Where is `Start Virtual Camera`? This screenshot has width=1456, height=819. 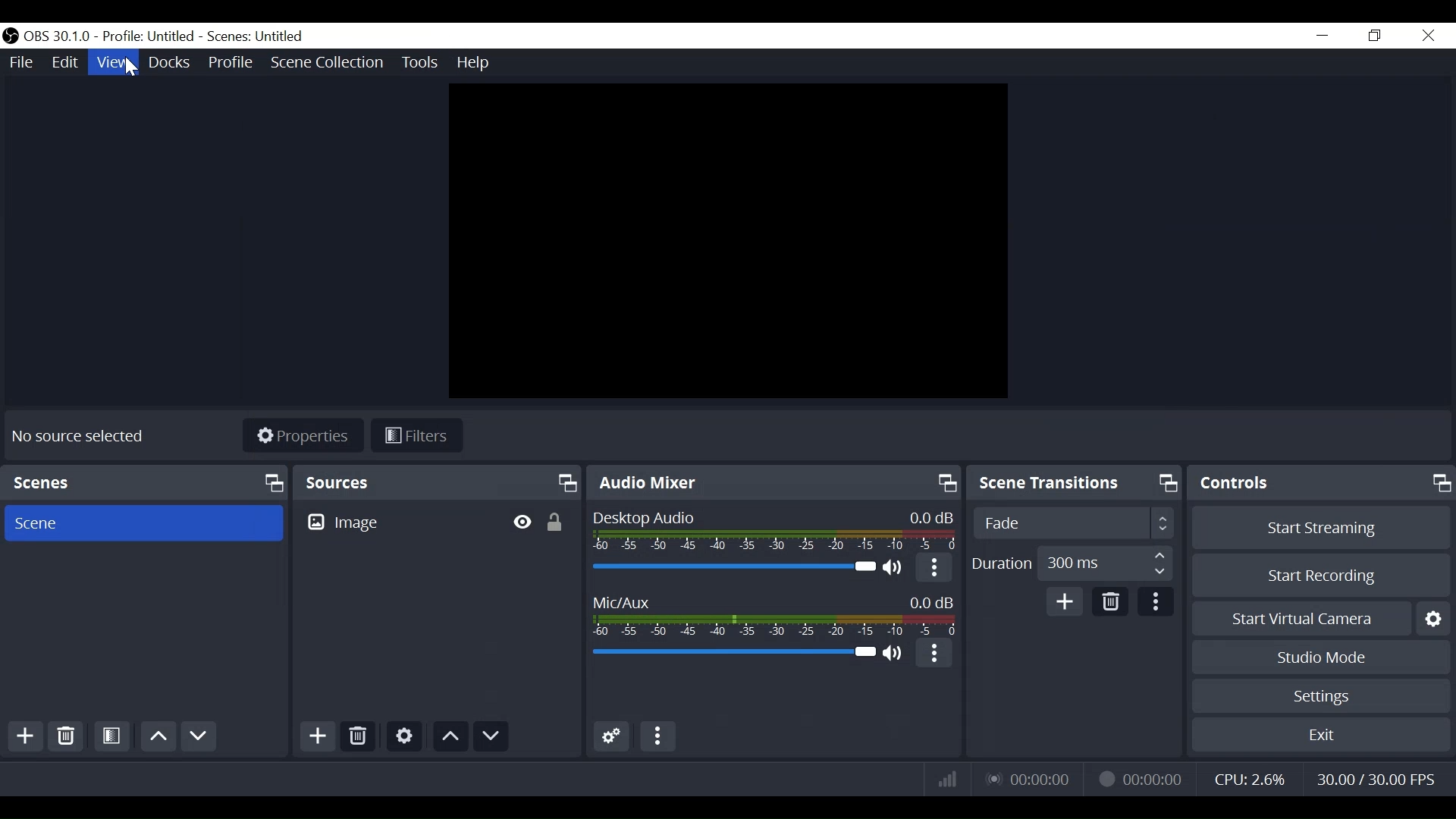 Start Virtual Camera is located at coordinates (1319, 621).